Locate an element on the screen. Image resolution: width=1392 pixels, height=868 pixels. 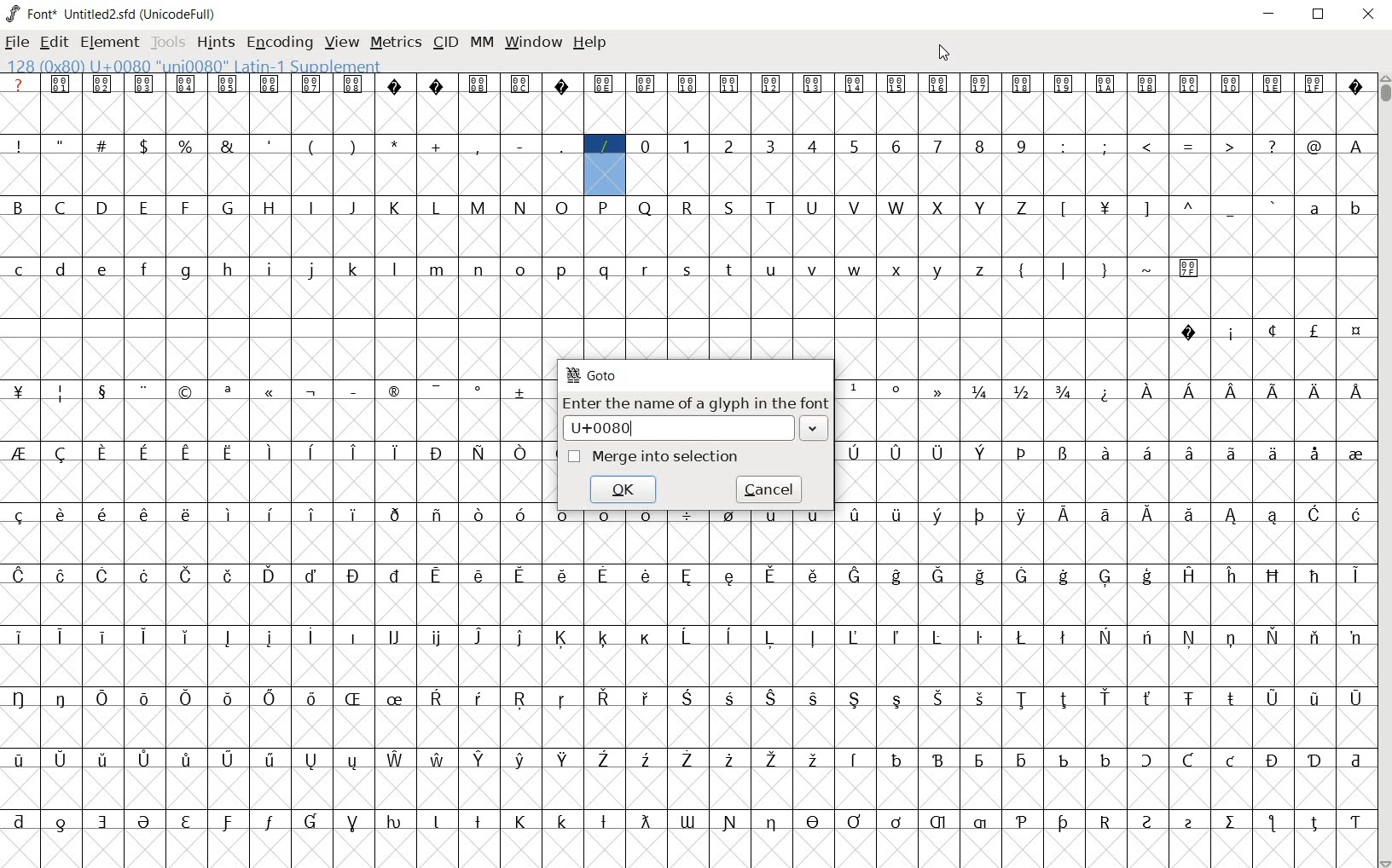
glyph is located at coordinates (519, 207).